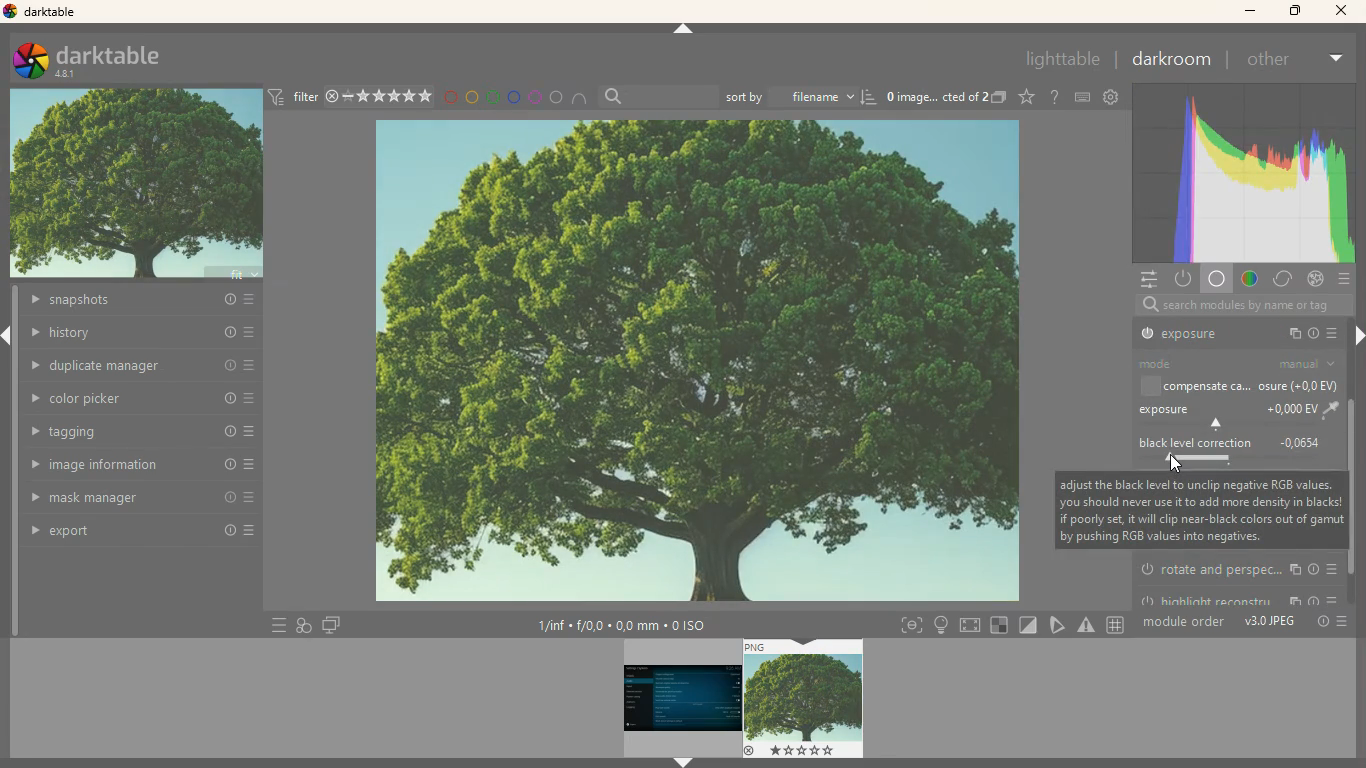 The width and height of the screenshot is (1366, 768). What do you see at coordinates (1184, 624) in the screenshot?
I see `module order` at bounding box center [1184, 624].